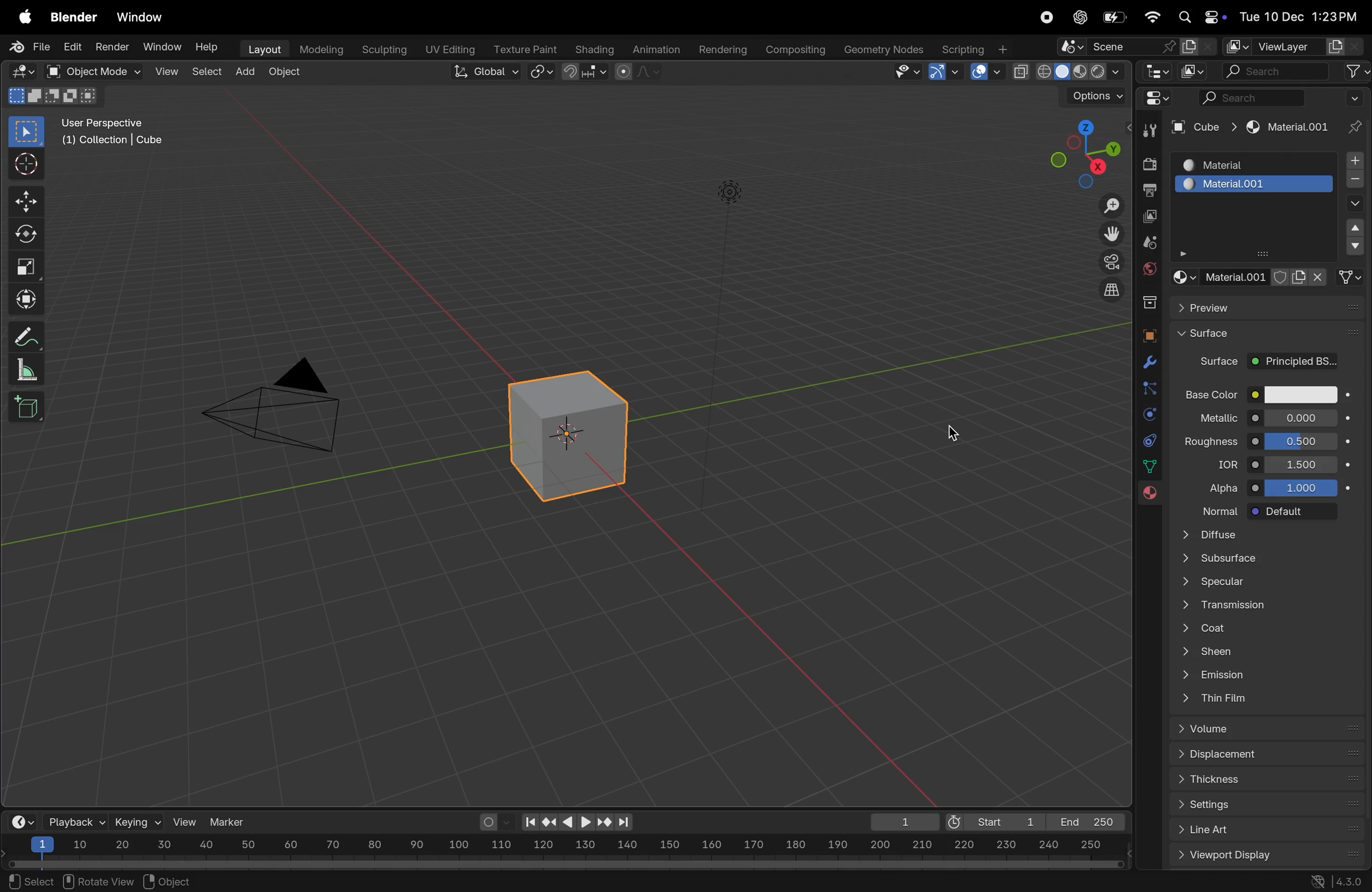 This screenshot has height=892, width=1372. What do you see at coordinates (144, 18) in the screenshot?
I see `window` at bounding box center [144, 18].